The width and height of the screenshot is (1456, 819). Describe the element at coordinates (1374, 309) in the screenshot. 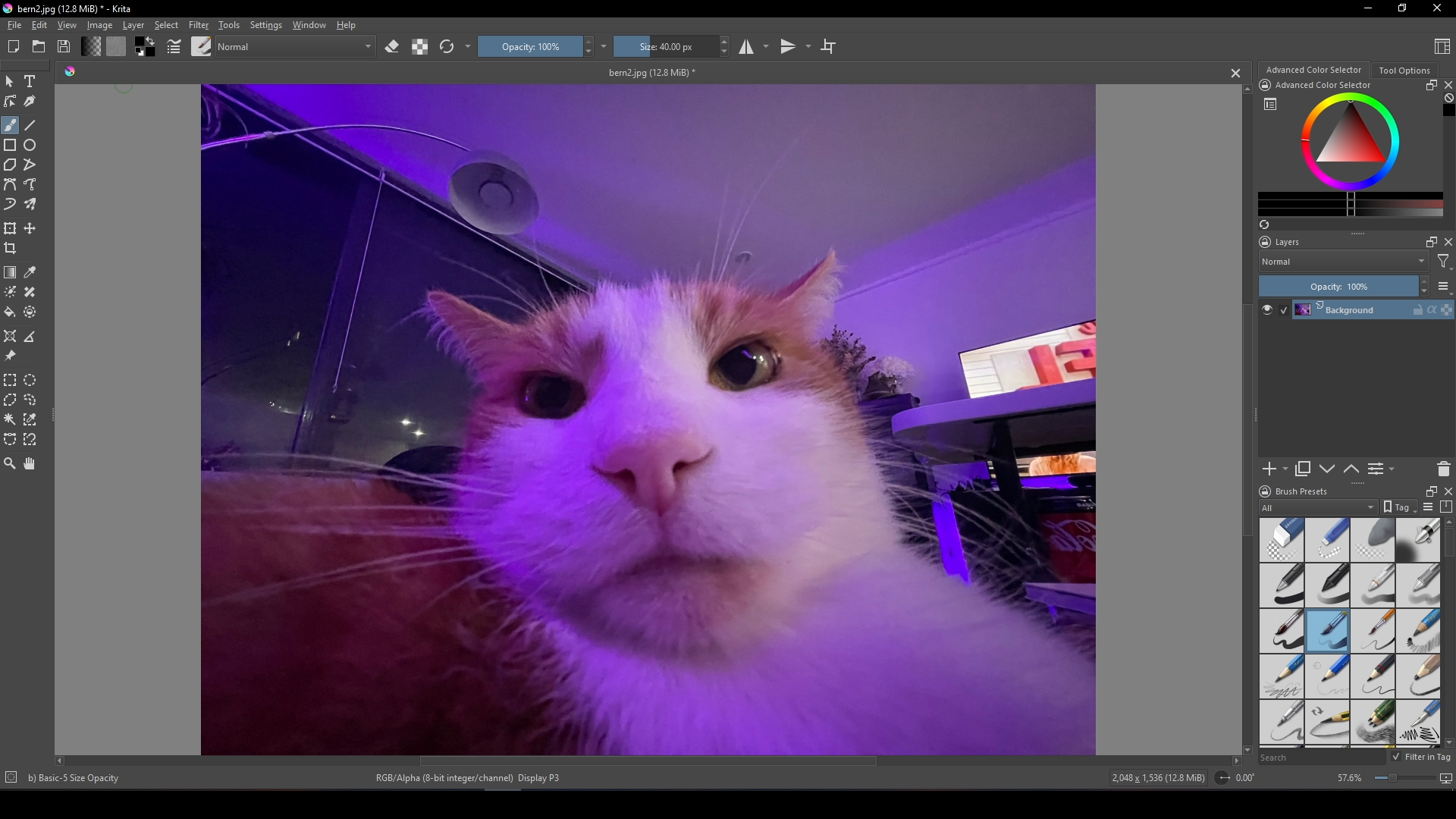

I see `Layer 1` at that location.